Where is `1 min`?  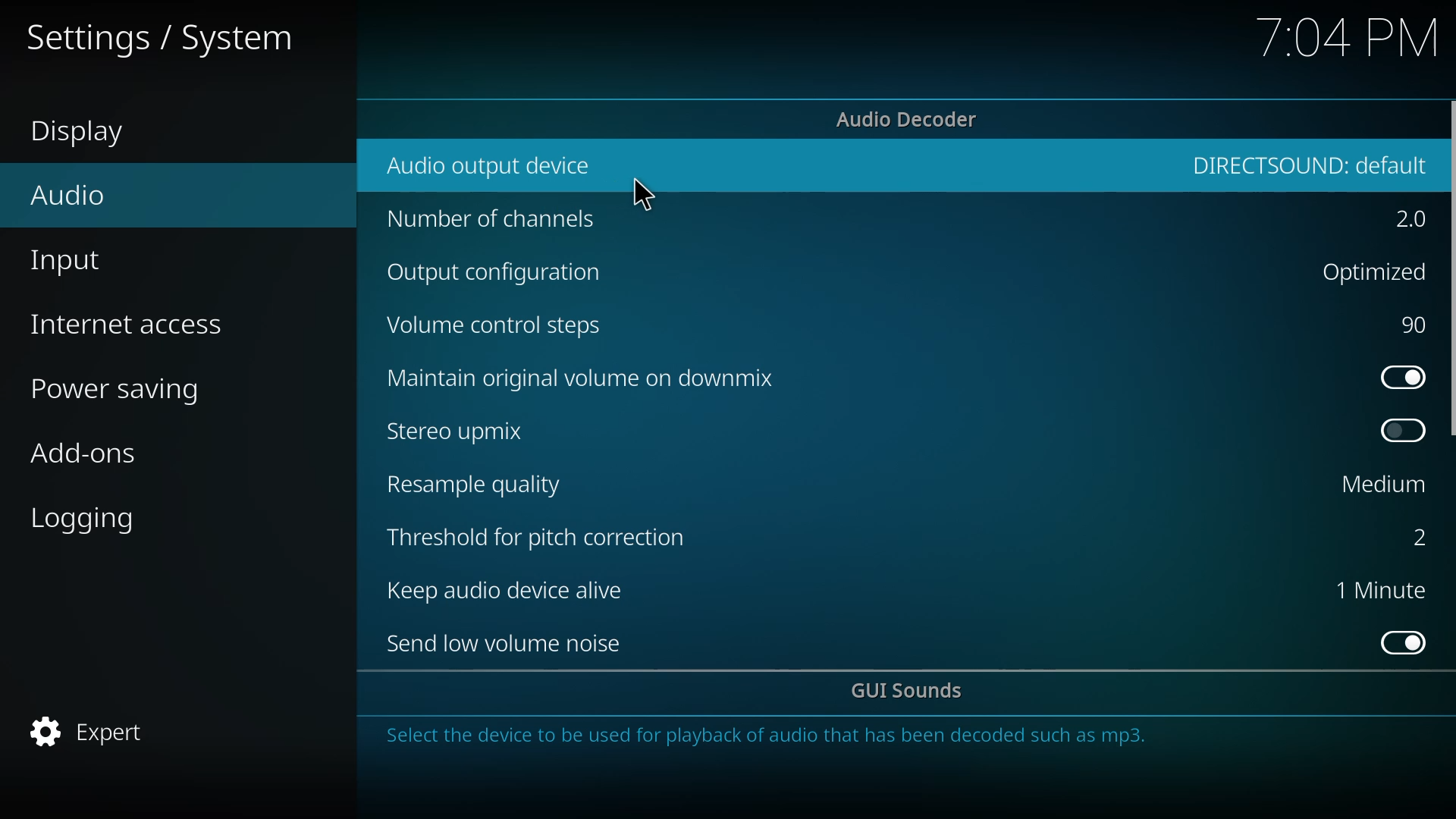 1 min is located at coordinates (1380, 589).